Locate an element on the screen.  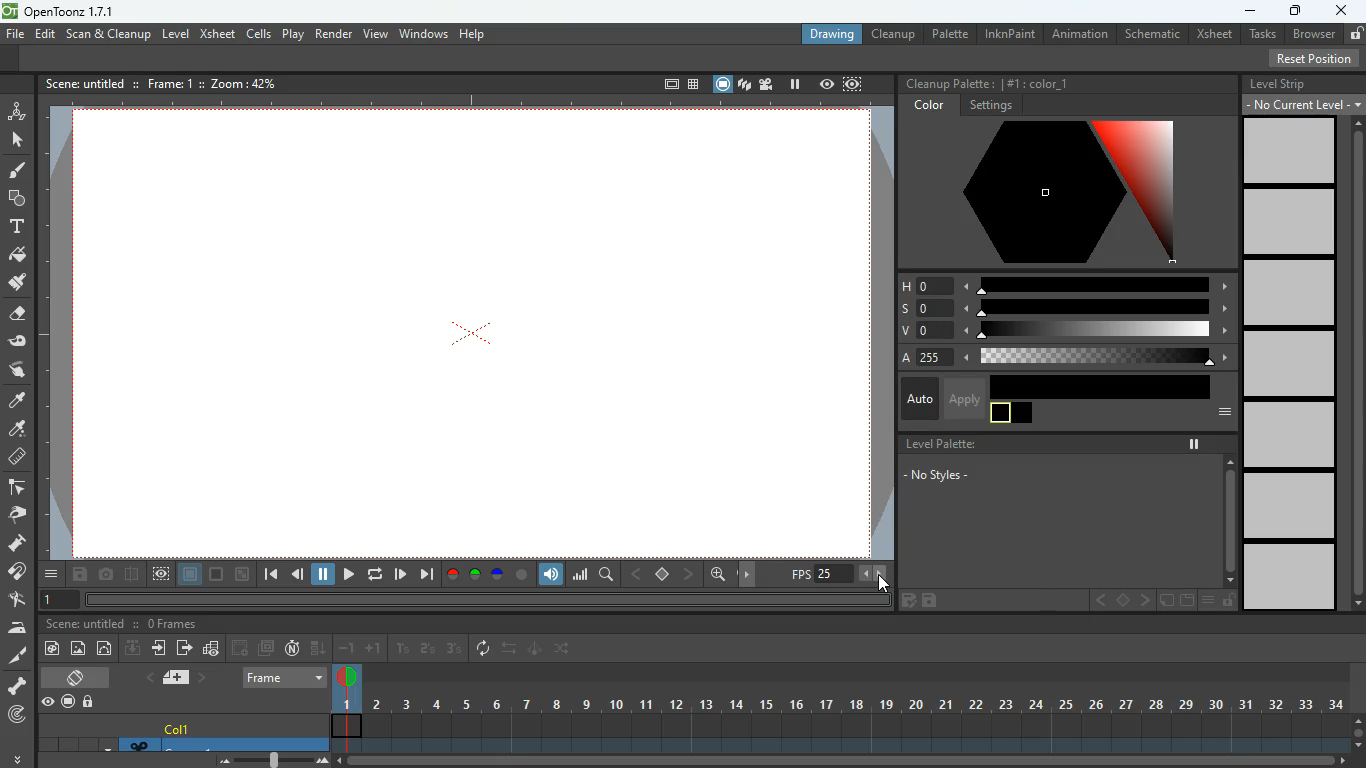
cut is located at coordinates (15, 658).